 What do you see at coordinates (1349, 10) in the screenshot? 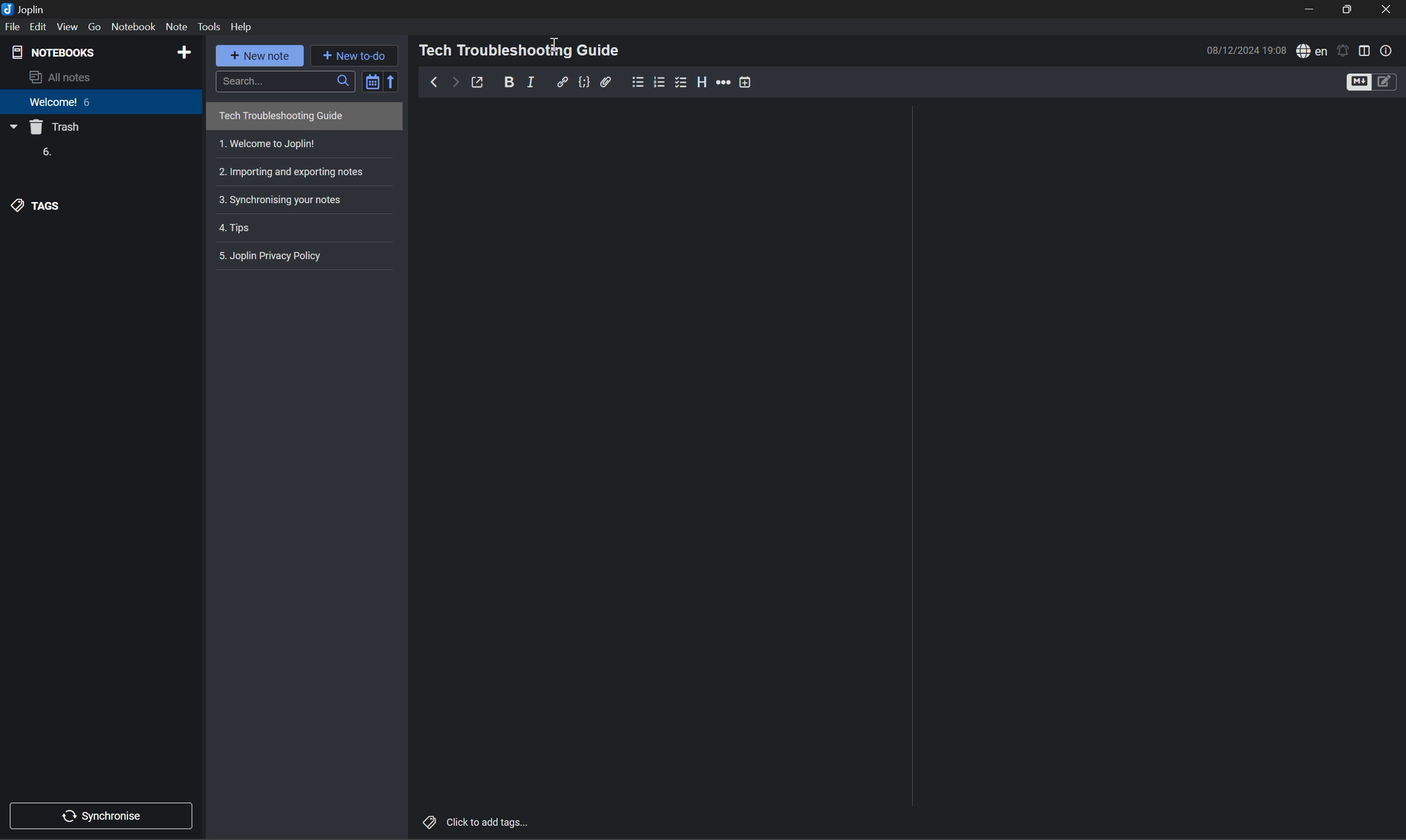
I see `Restore Down` at bounding box center [1349, 10].